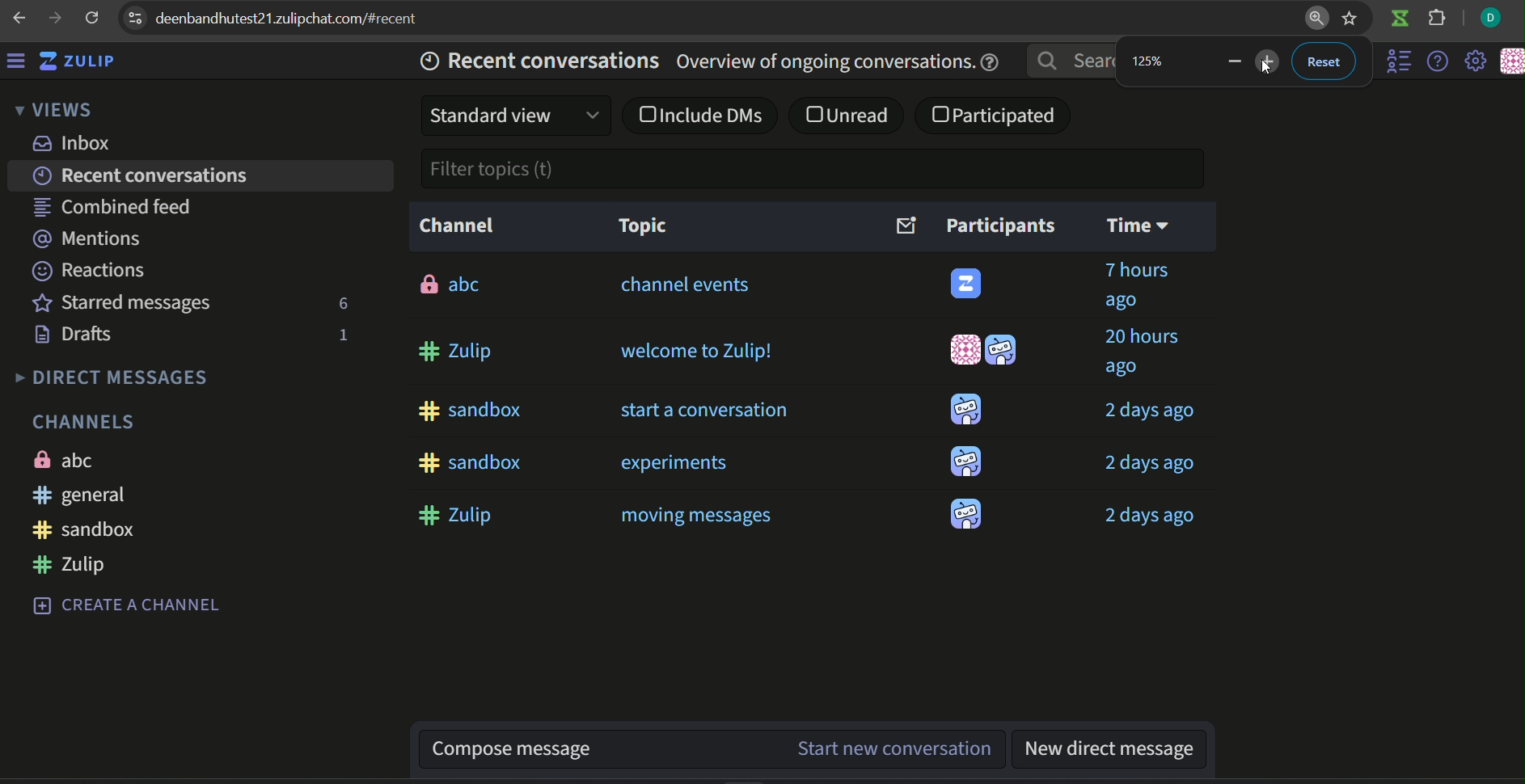 The width and height of the screenshot is (1525, 784). Describe the element at coordinates (87, 236) in the screenshot. I see `mentions` at that location.